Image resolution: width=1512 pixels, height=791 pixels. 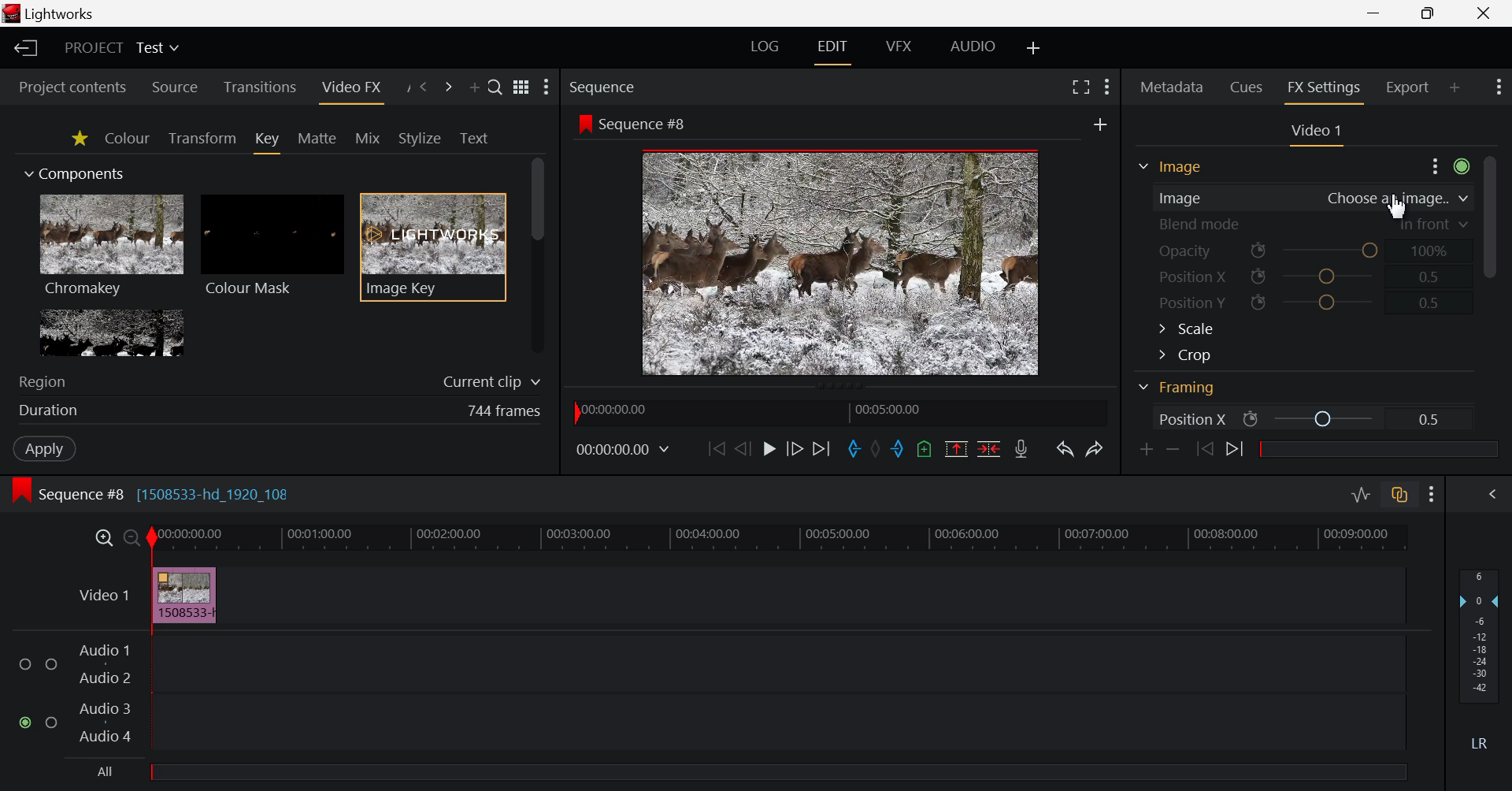 I want to click on Delete/Cut, so click(x=988, y=448).